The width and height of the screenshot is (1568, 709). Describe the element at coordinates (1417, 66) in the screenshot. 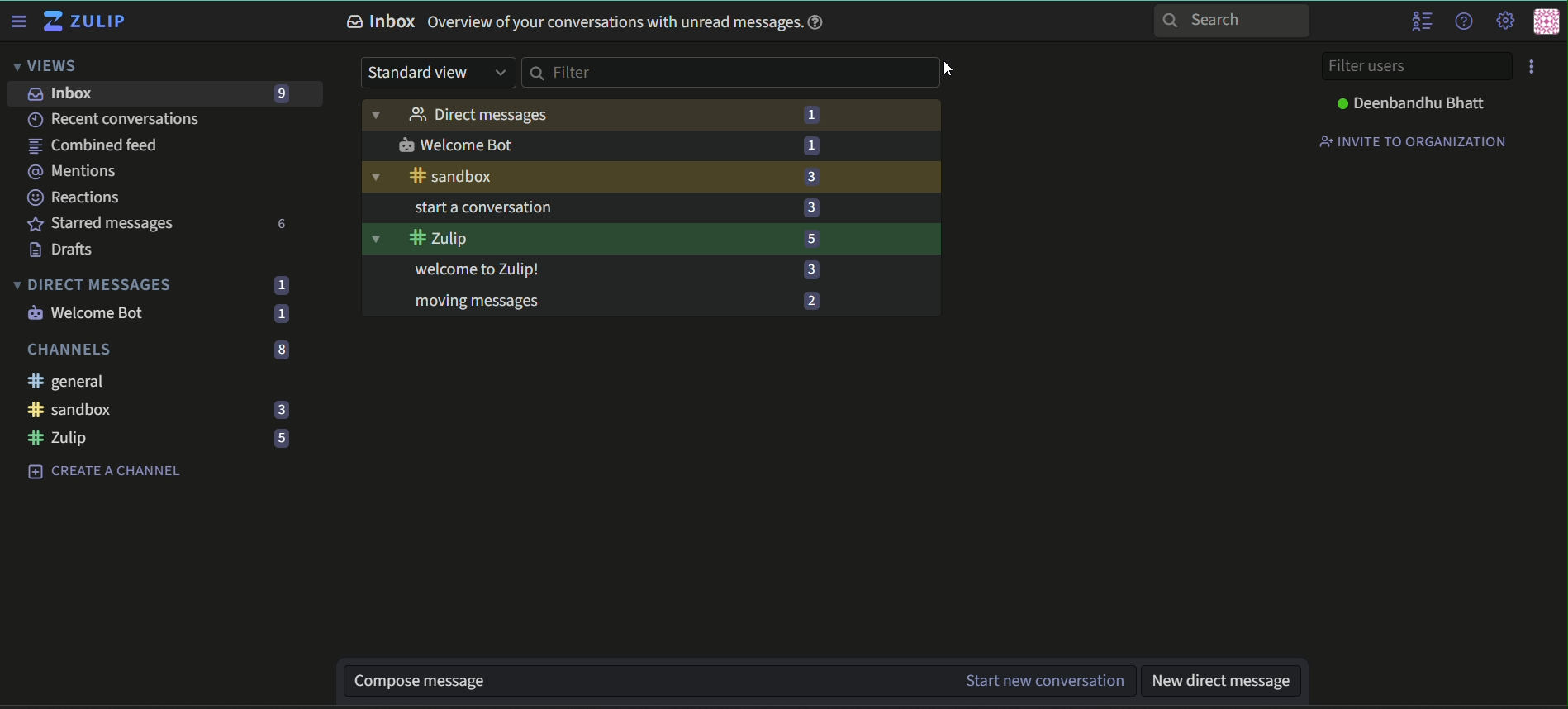

I see `Filter users` at that location.